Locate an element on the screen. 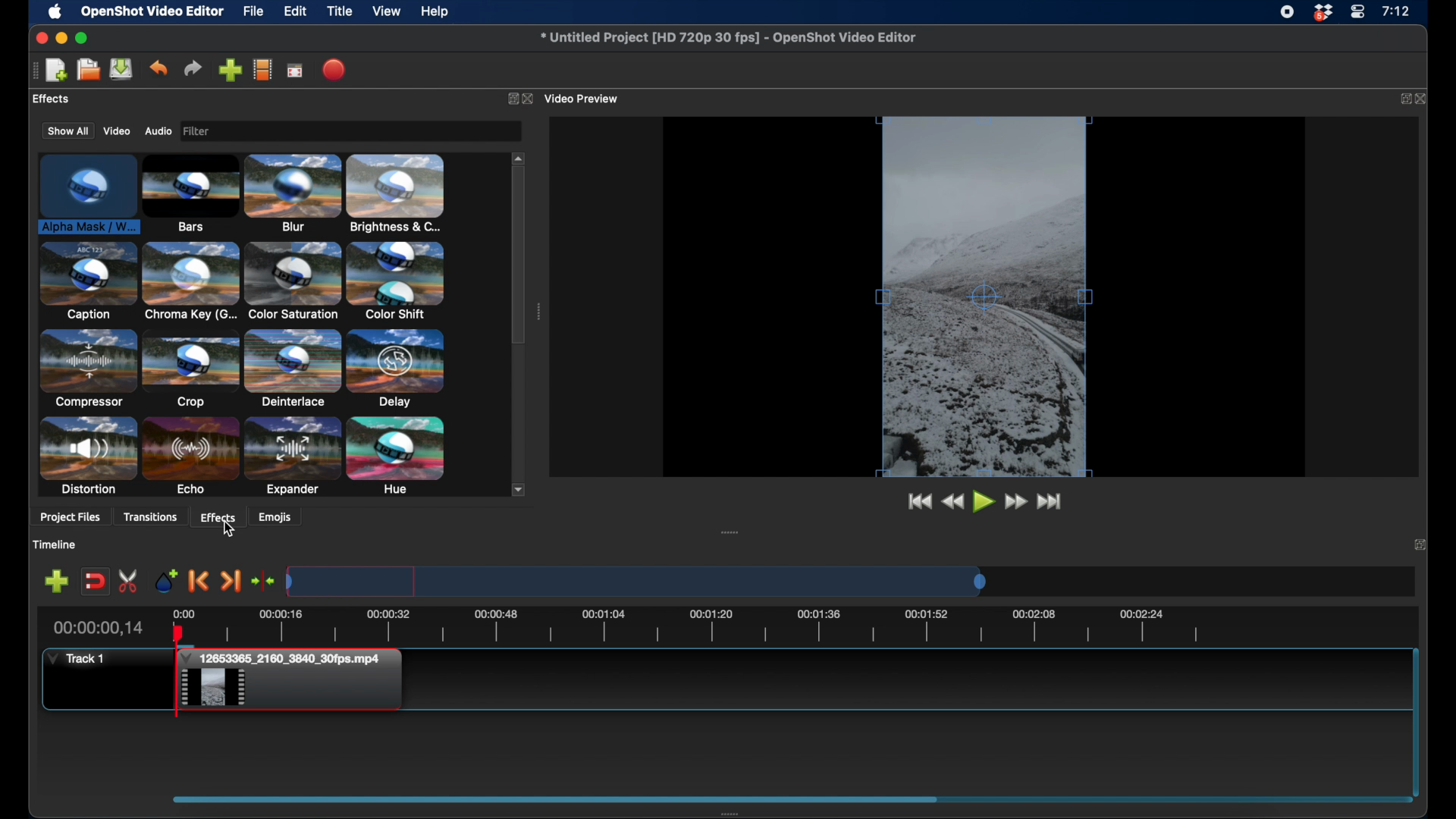  close is located at coordinates (40, 38).